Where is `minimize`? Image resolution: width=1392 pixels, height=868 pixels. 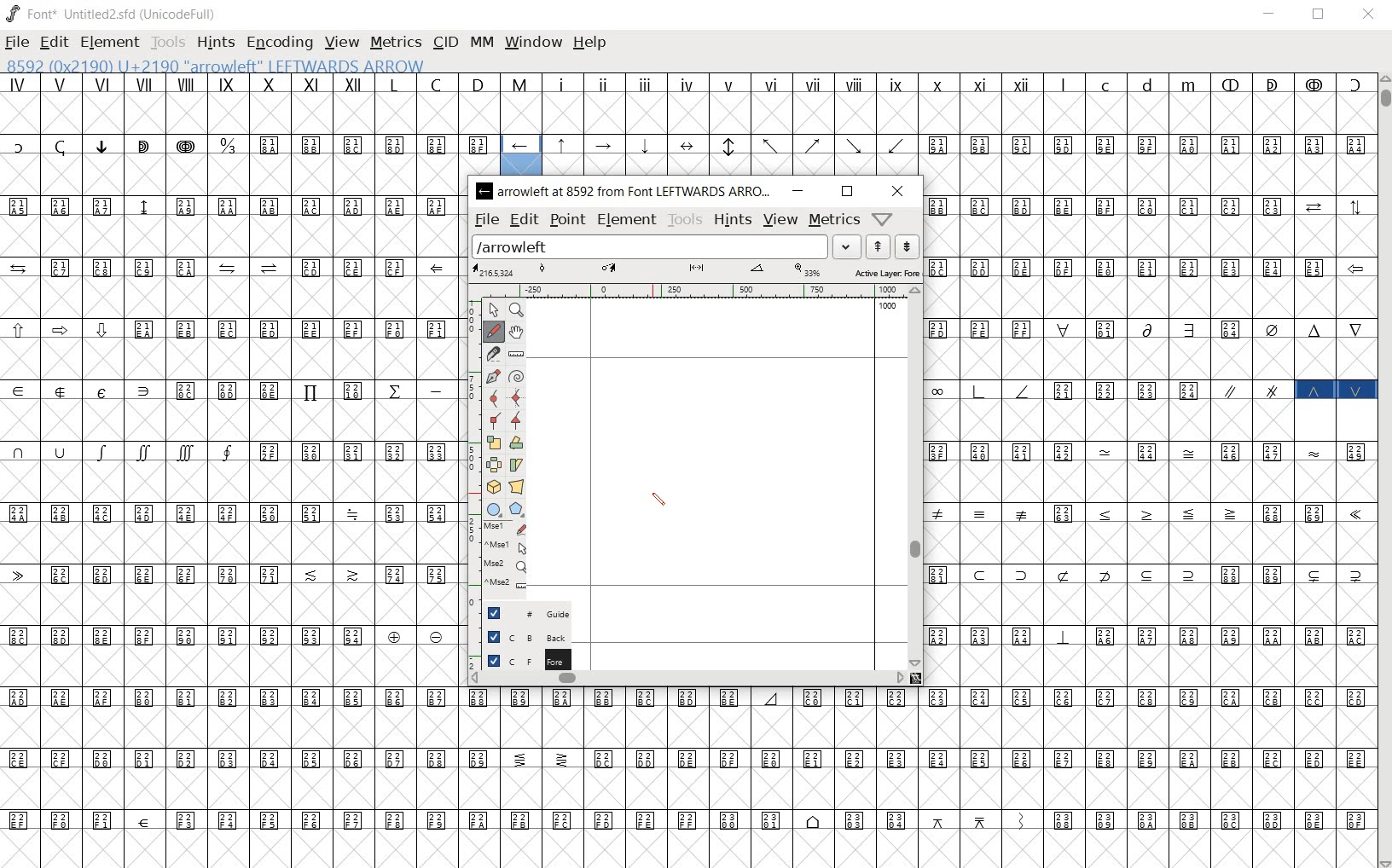
minimize is located at coordinates (1270, 14).